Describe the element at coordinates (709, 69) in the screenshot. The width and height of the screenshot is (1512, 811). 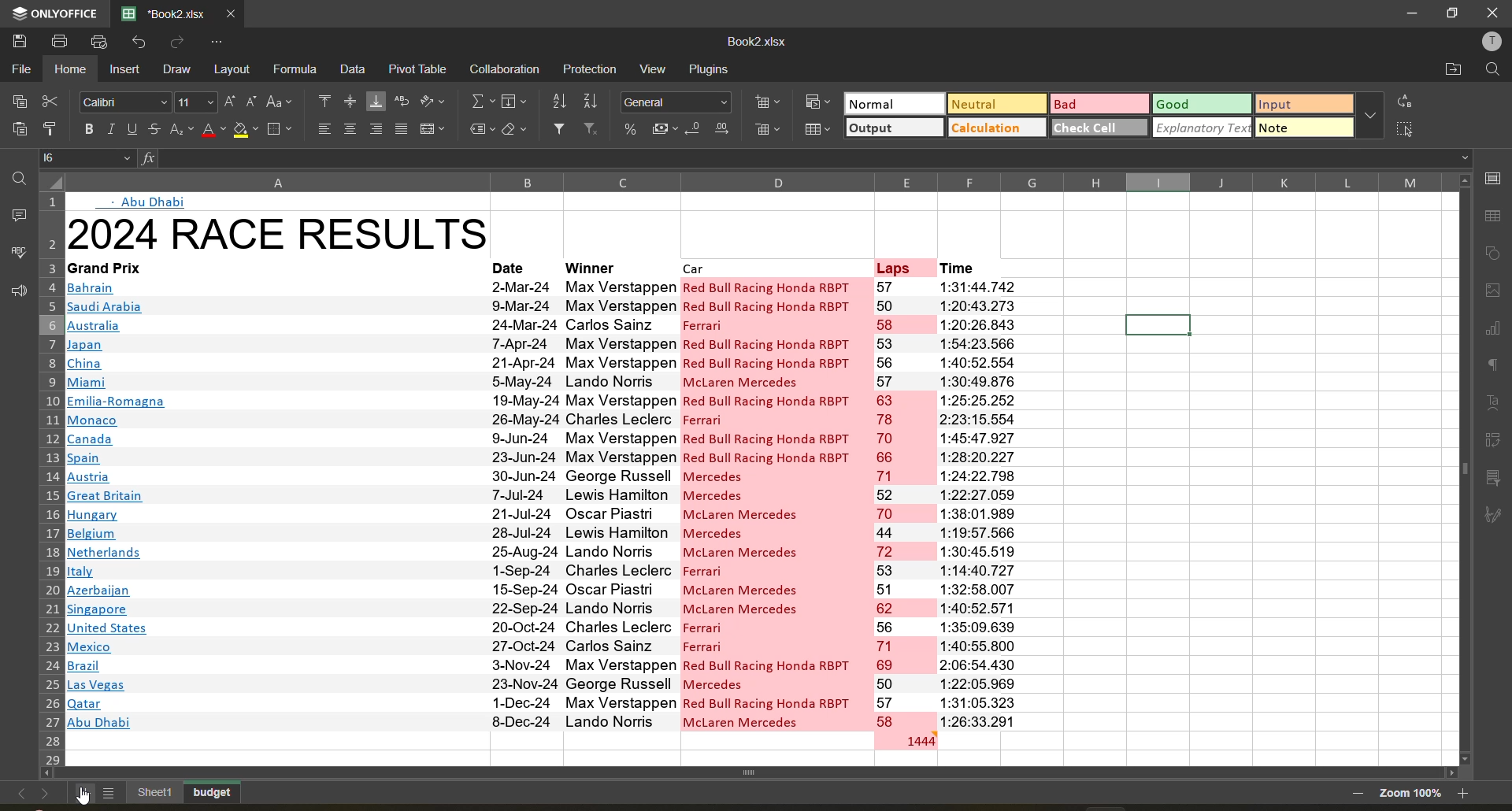
I see `plugins` at that location.